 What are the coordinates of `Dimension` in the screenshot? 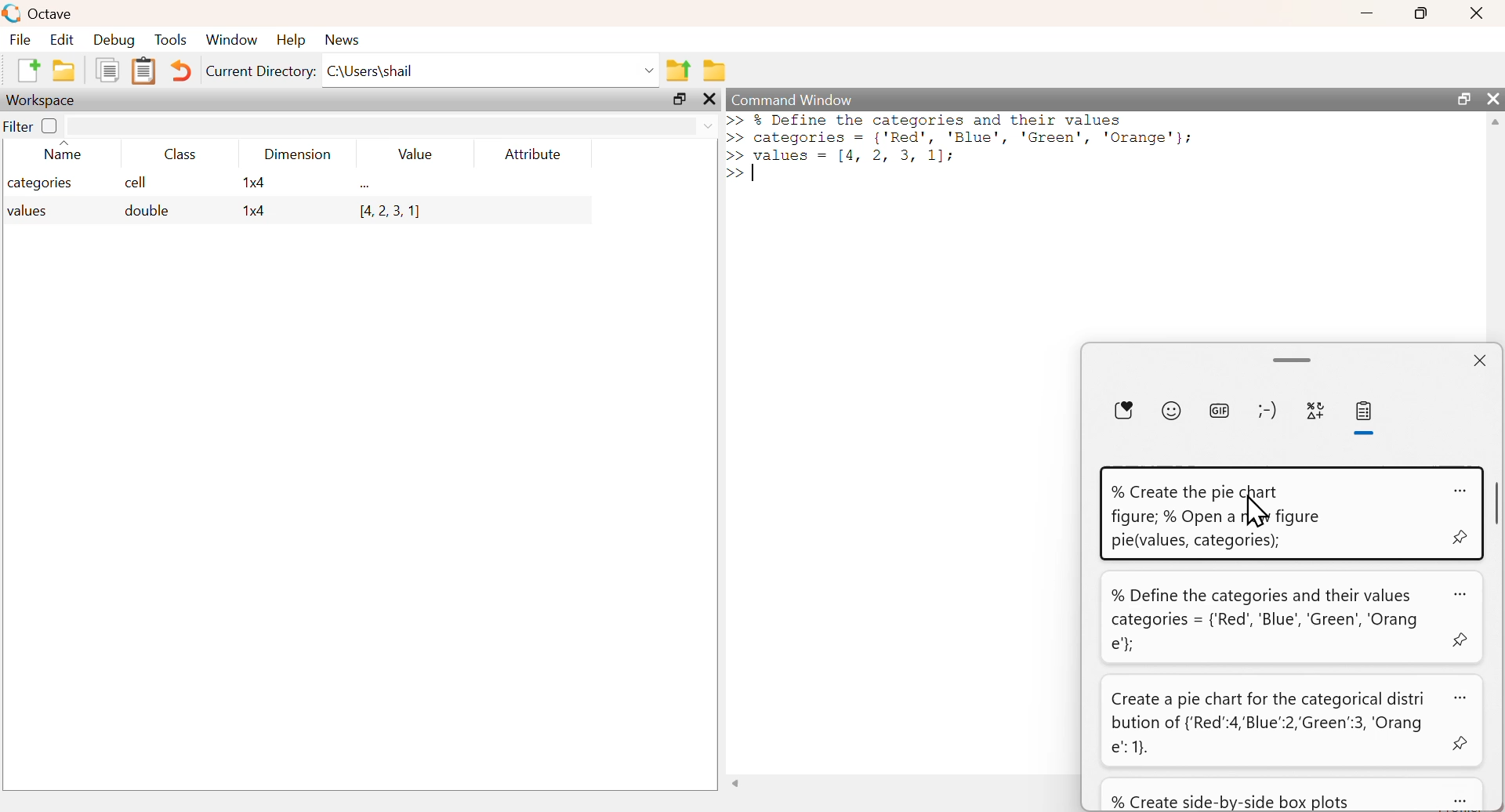 It's located at (300, 155).